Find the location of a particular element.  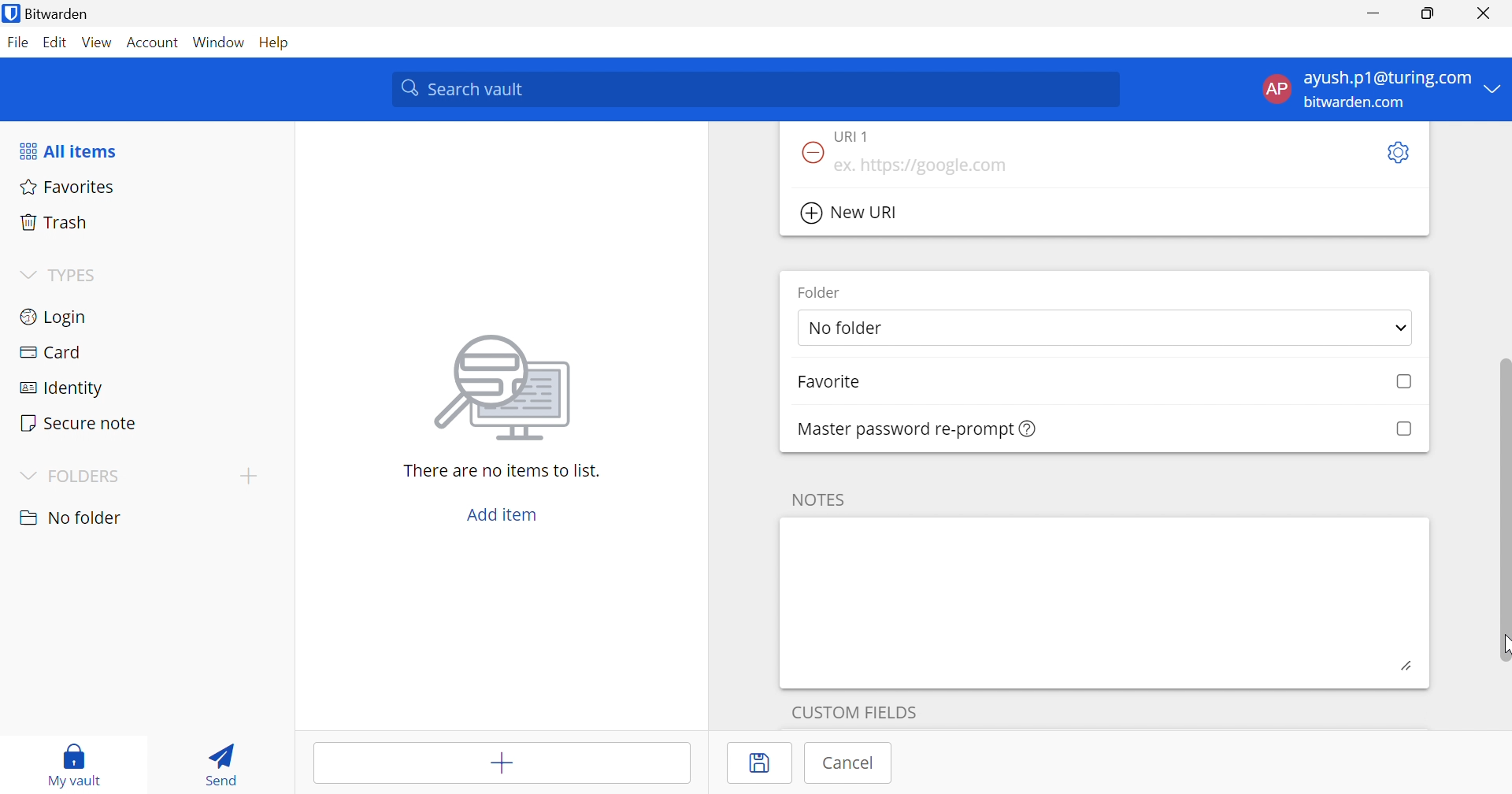

Close is located at coordinates (1487, 13).